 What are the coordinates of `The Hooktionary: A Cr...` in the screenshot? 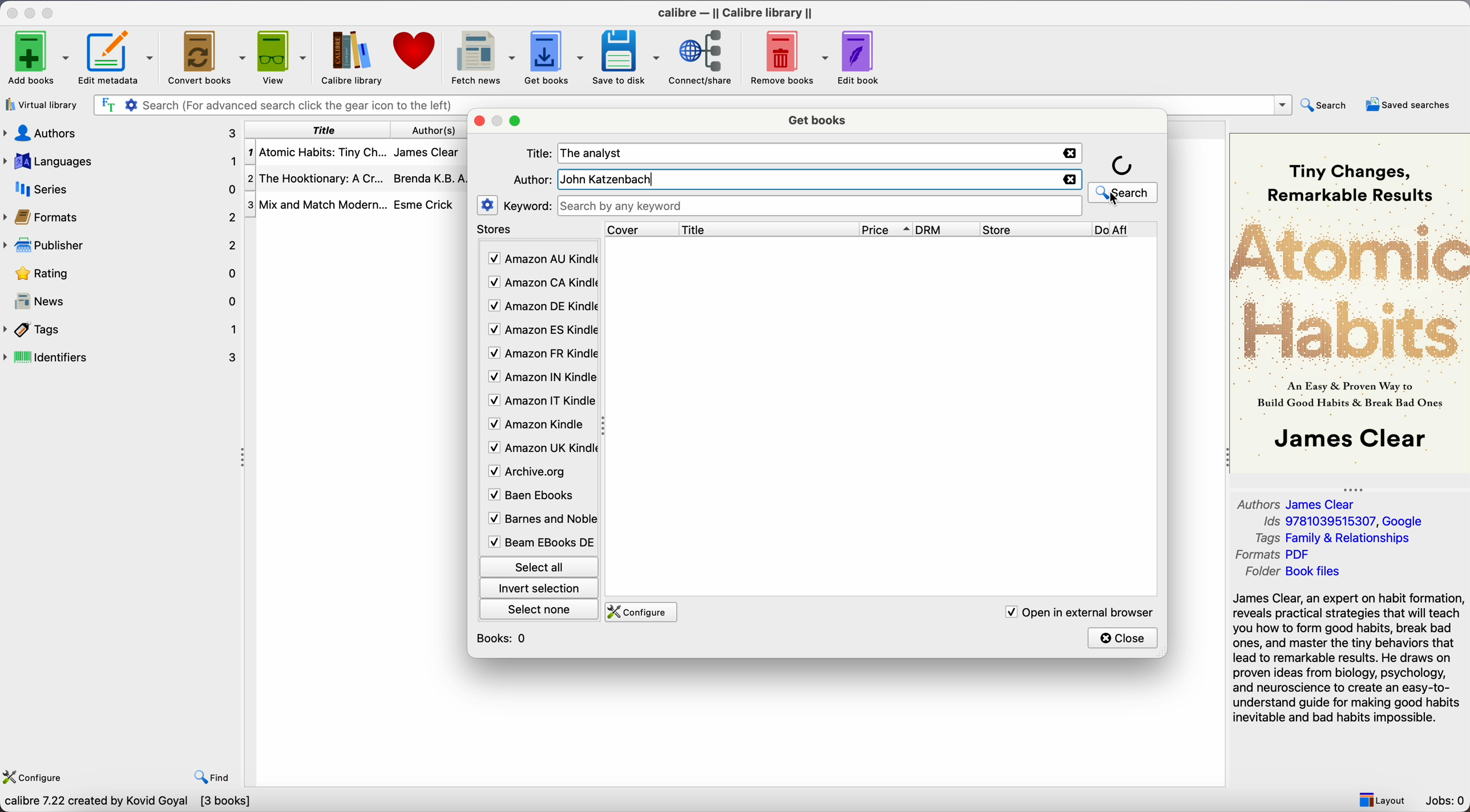 It's located at (320, 178).